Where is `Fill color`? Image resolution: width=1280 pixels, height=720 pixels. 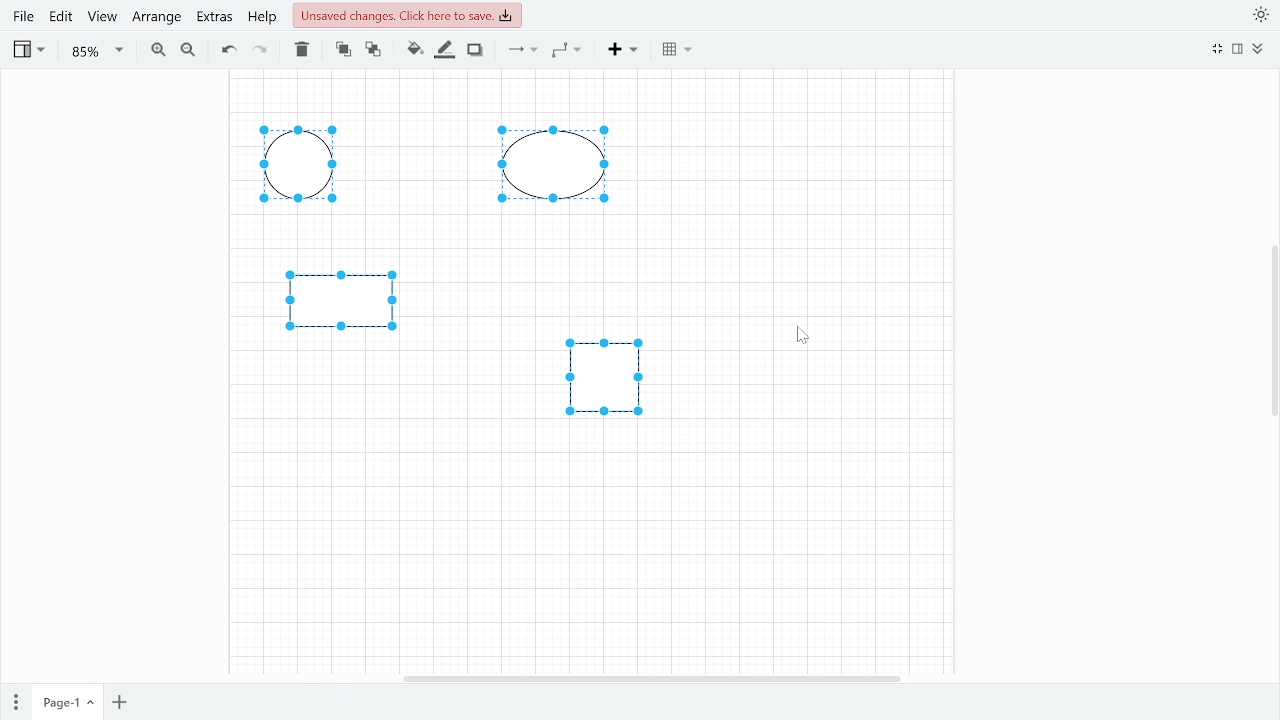
Fill color is located at coordinates (412, 49).